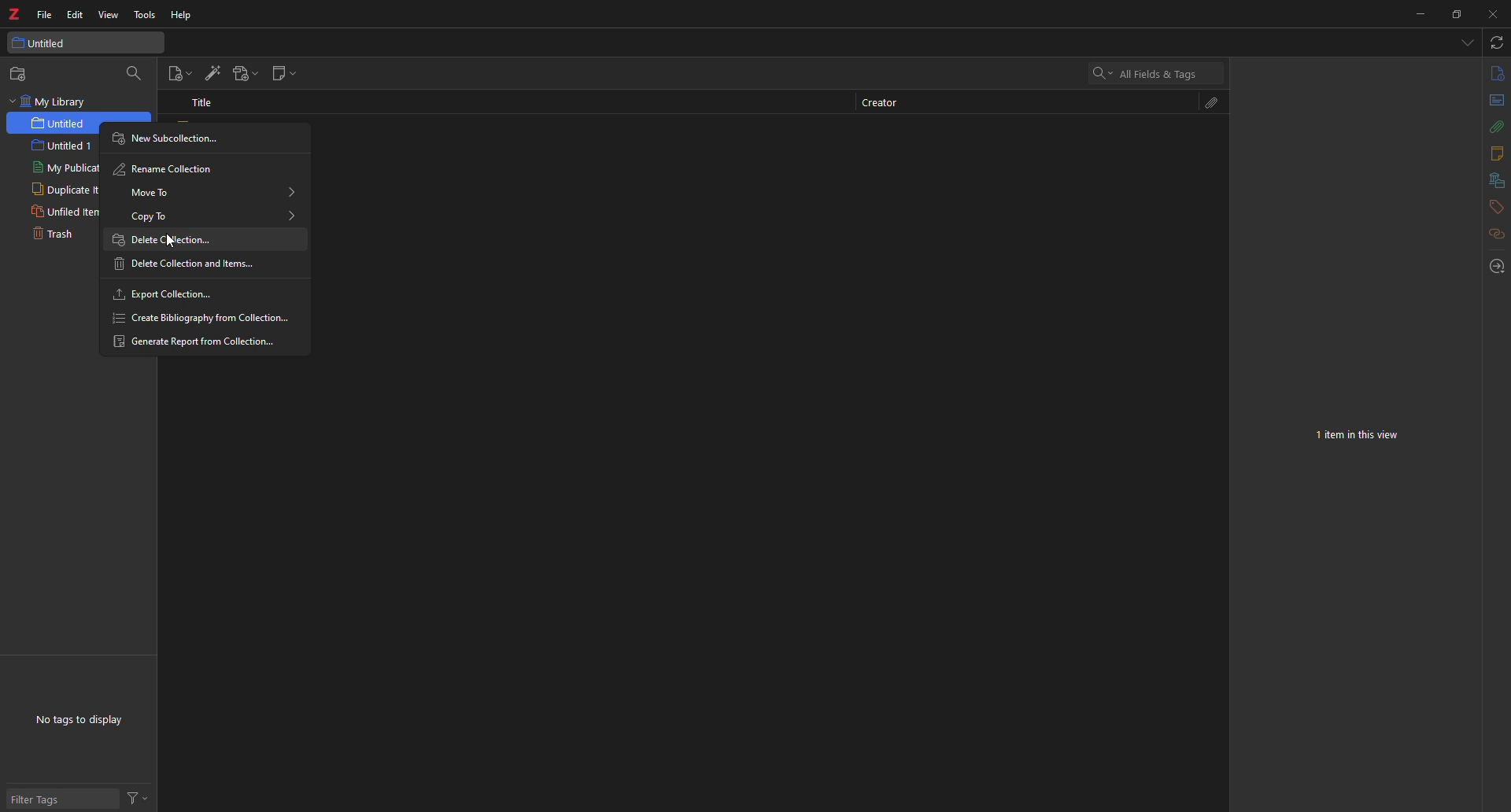 This screenshot has height=812, width=1511. What do you see at coordinates (87, 718) in the screenshot?
I see `no tags` at bounding box center [87, 718].